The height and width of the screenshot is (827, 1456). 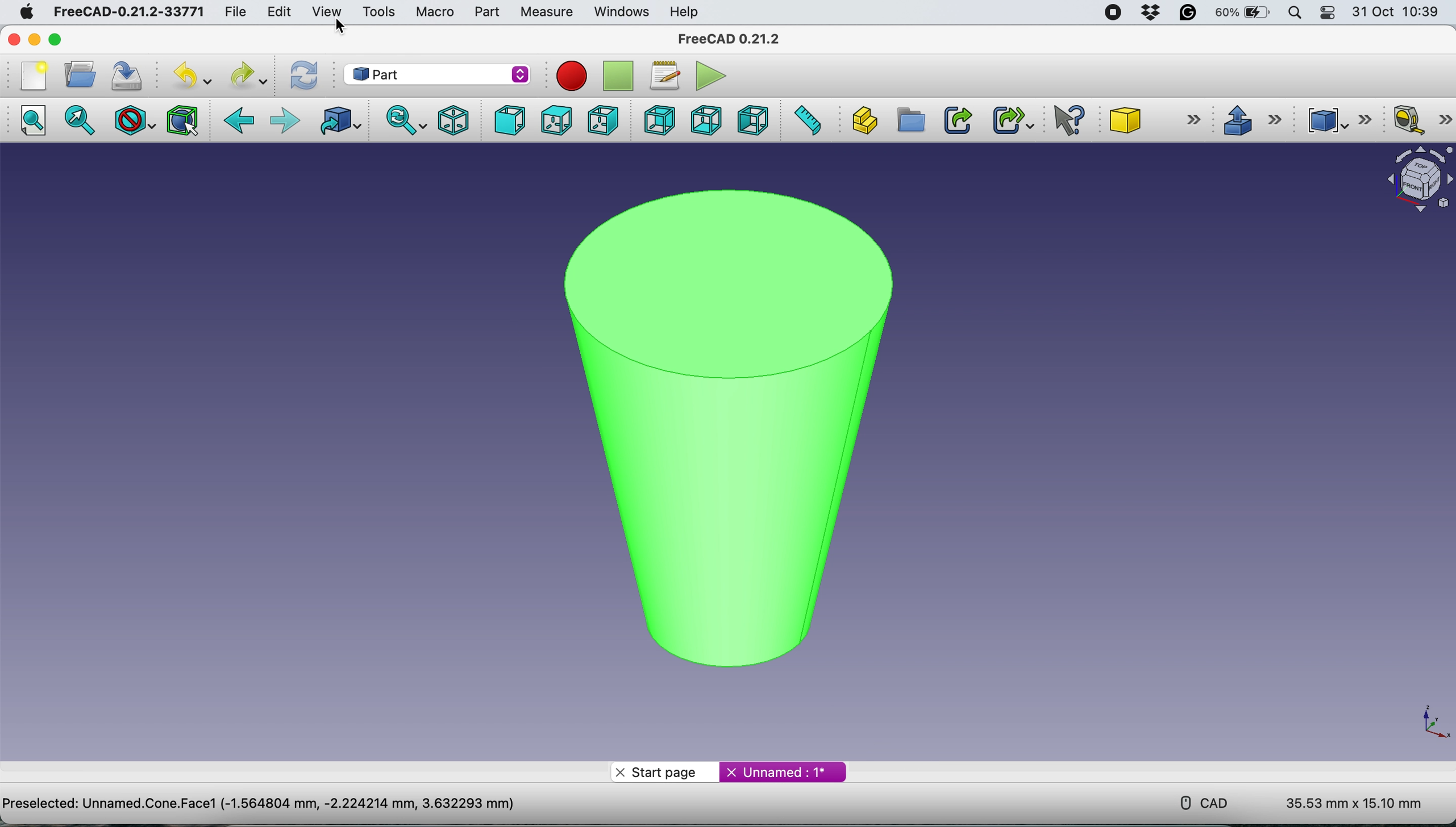 I want to click on extrude, so click(x=1251, y=120).